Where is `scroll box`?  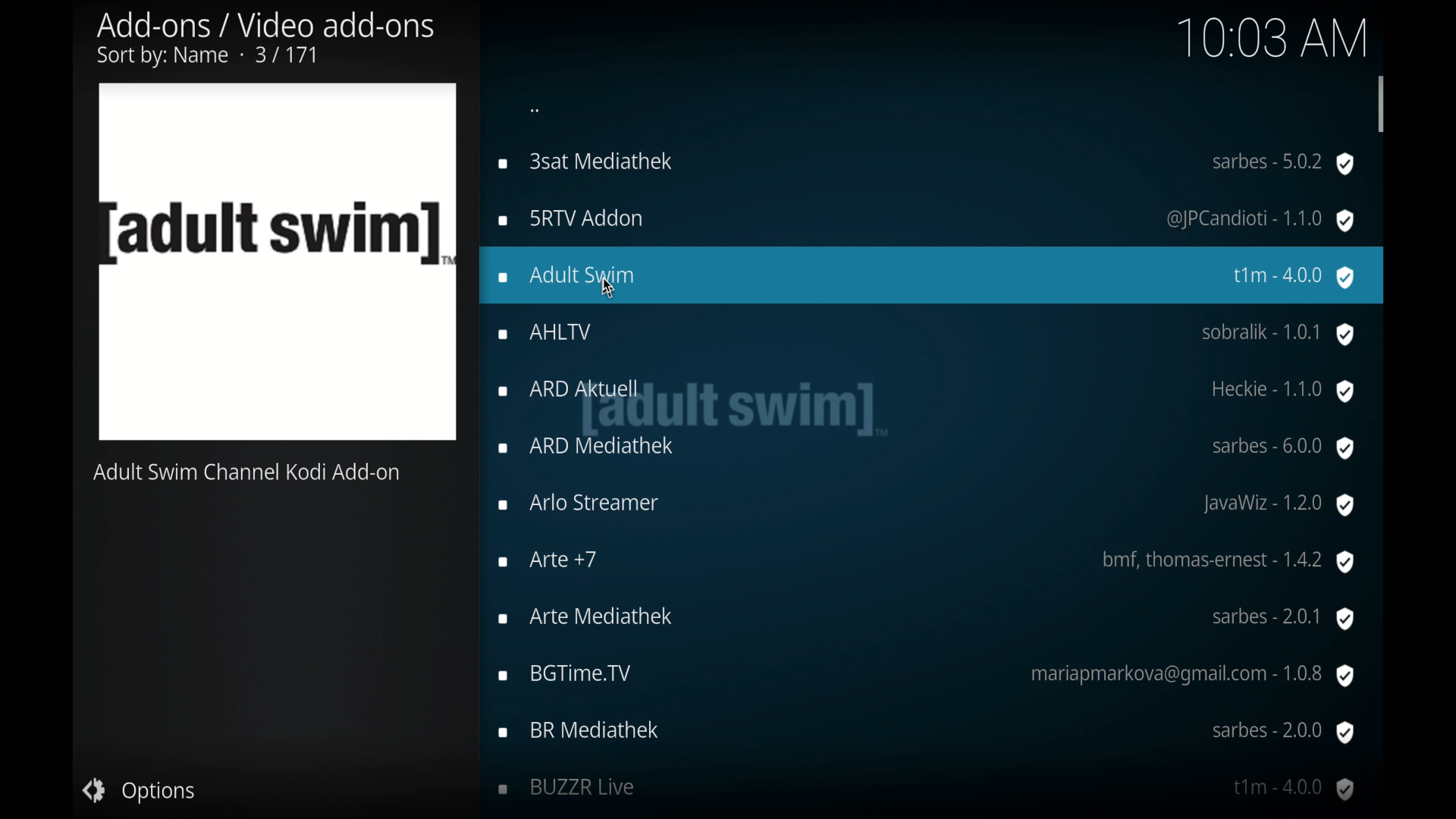 scroll box is located at coordinates (1382, 102).